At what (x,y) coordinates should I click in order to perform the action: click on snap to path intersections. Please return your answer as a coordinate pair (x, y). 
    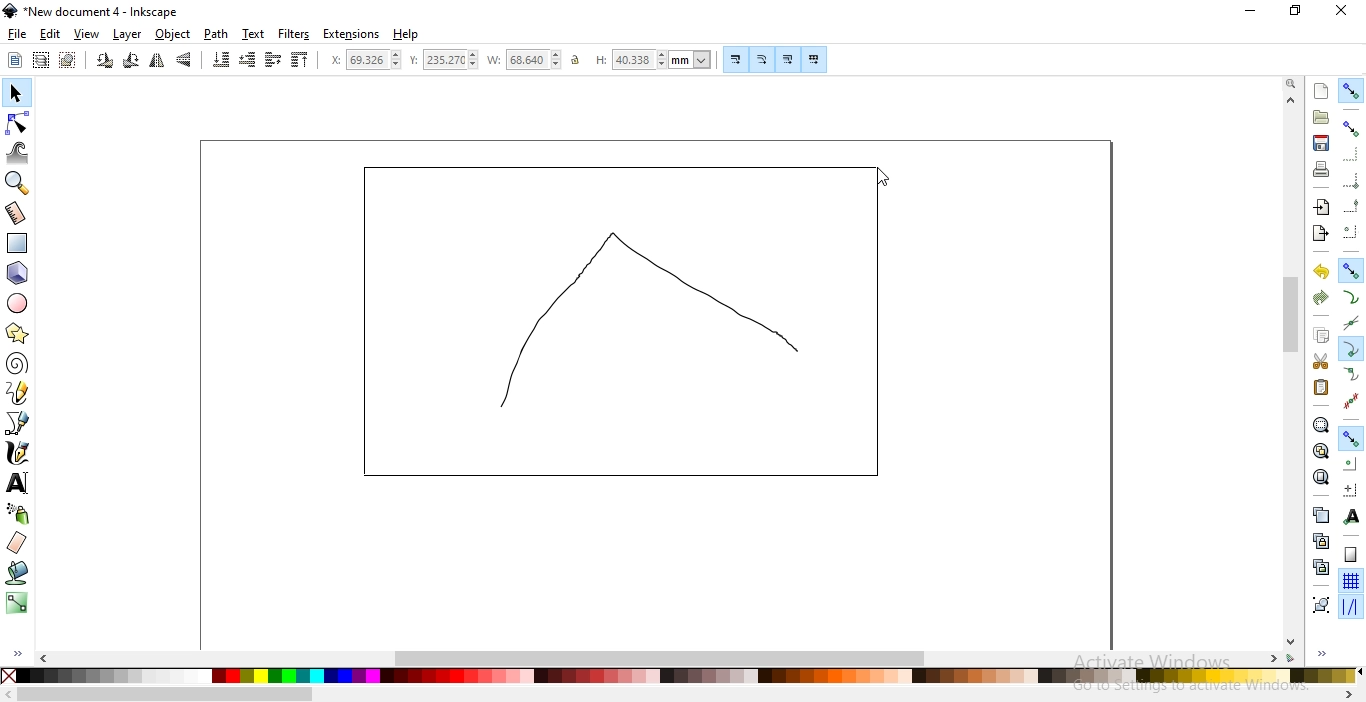
    Looking at the image, I should click on (1348, 322).